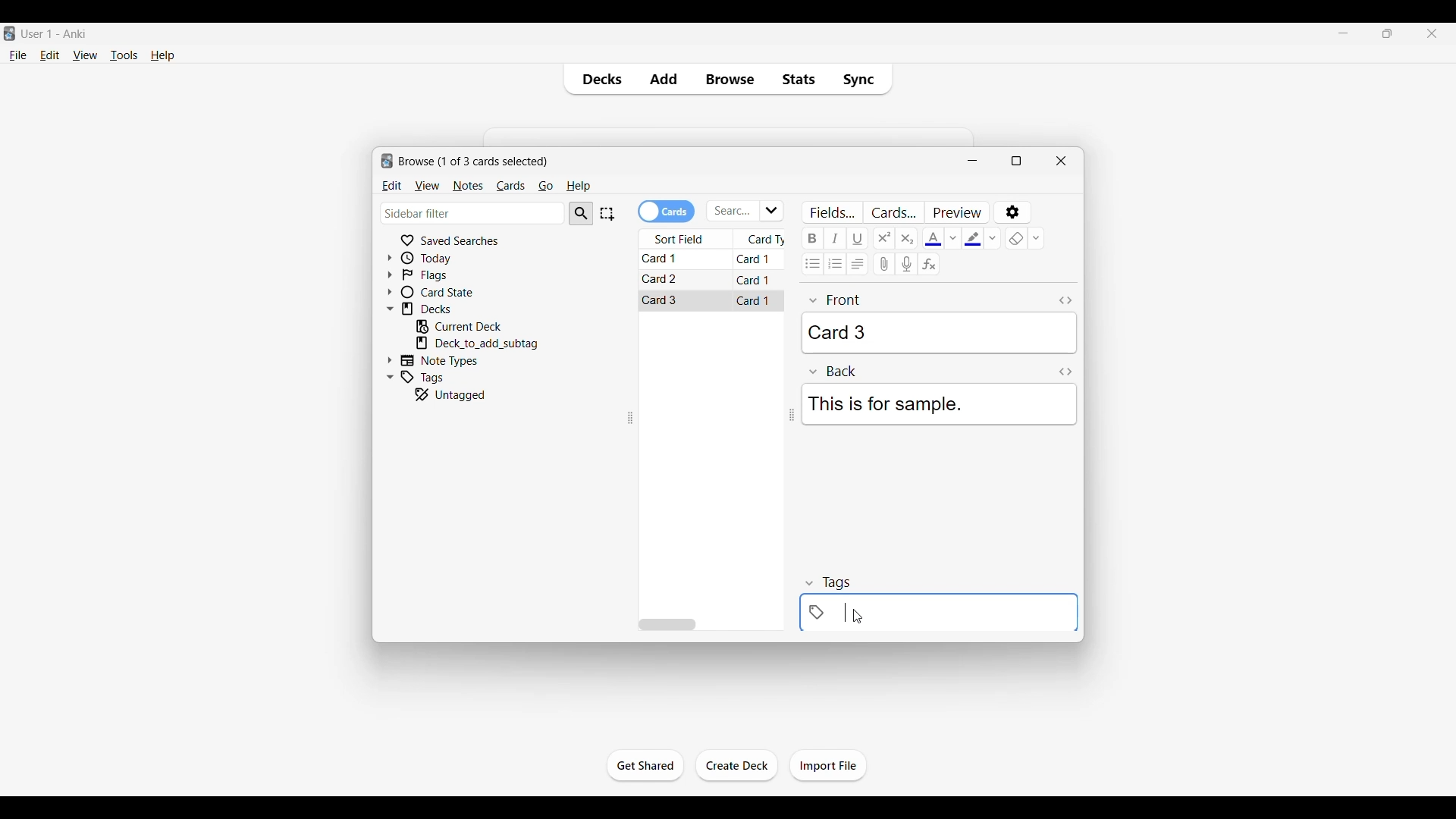  I want to click on Toggle HTML editor, so click(1065, 301).